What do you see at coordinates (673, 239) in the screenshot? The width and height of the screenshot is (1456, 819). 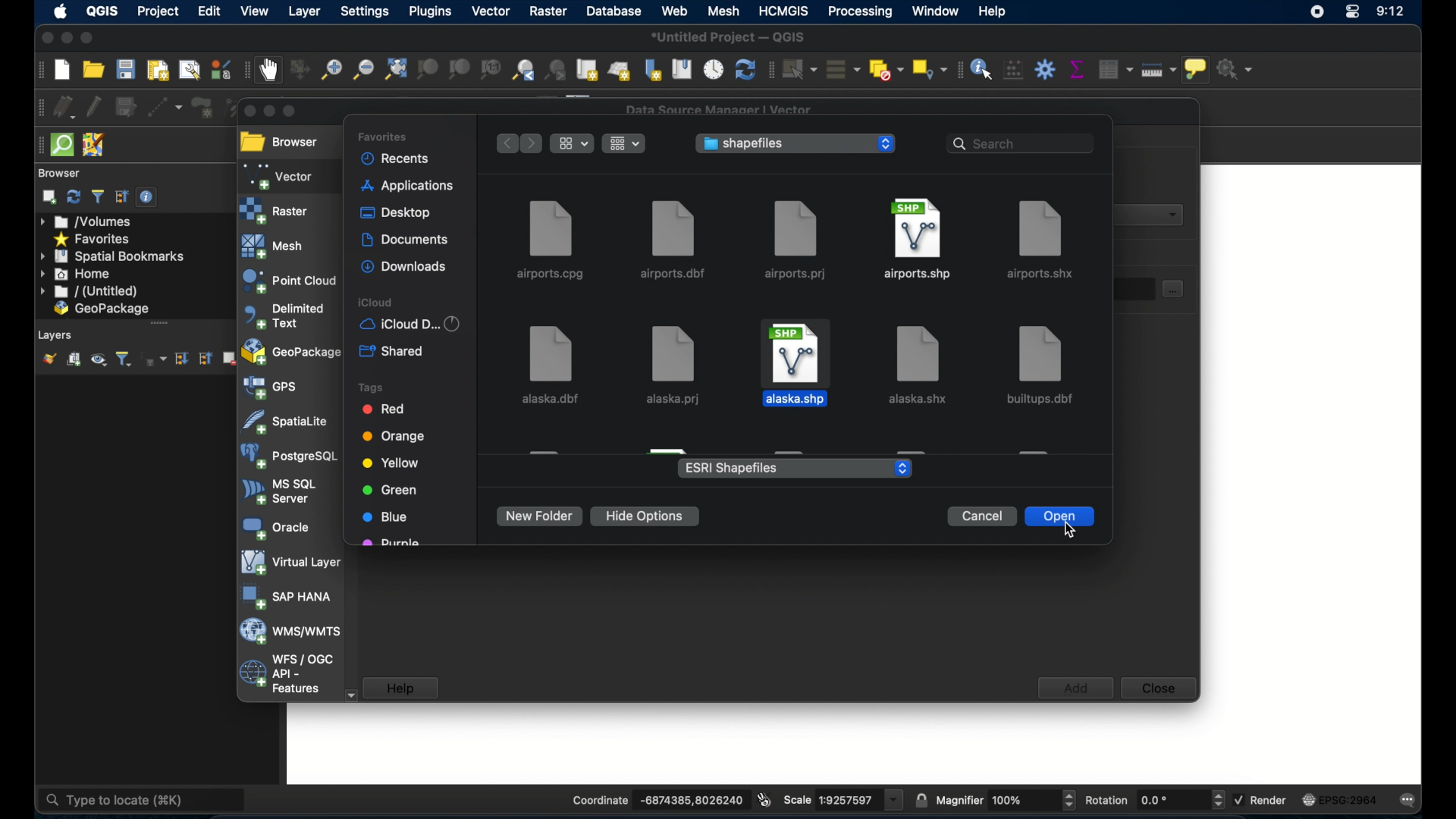 I see `airports.dbf` at bounding box center [673, 239].